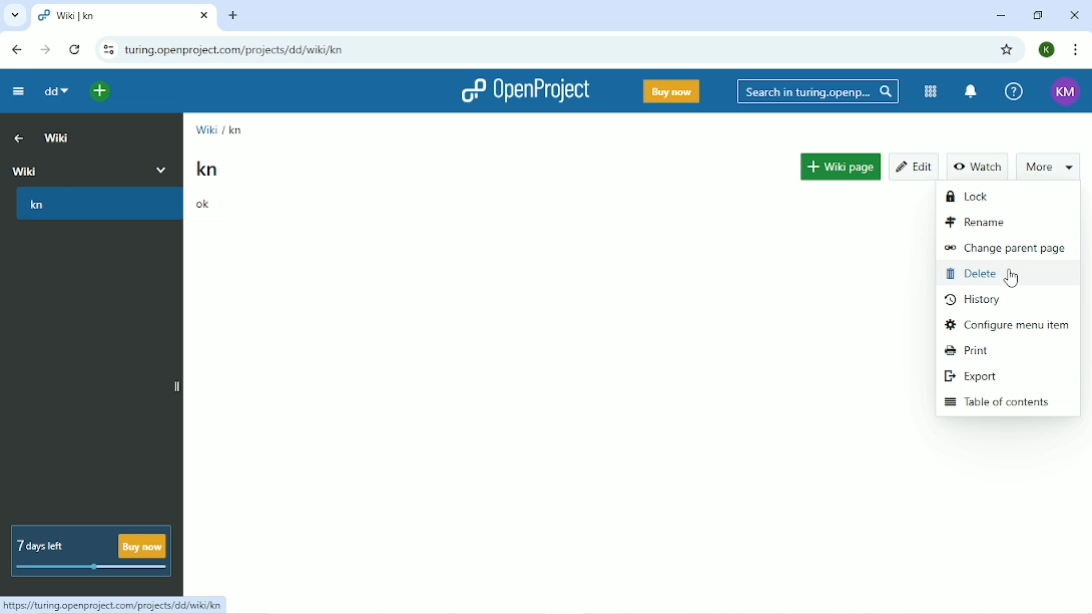 The image size is (1092, 614). I want to click on OpenProject, so click(521, 90).